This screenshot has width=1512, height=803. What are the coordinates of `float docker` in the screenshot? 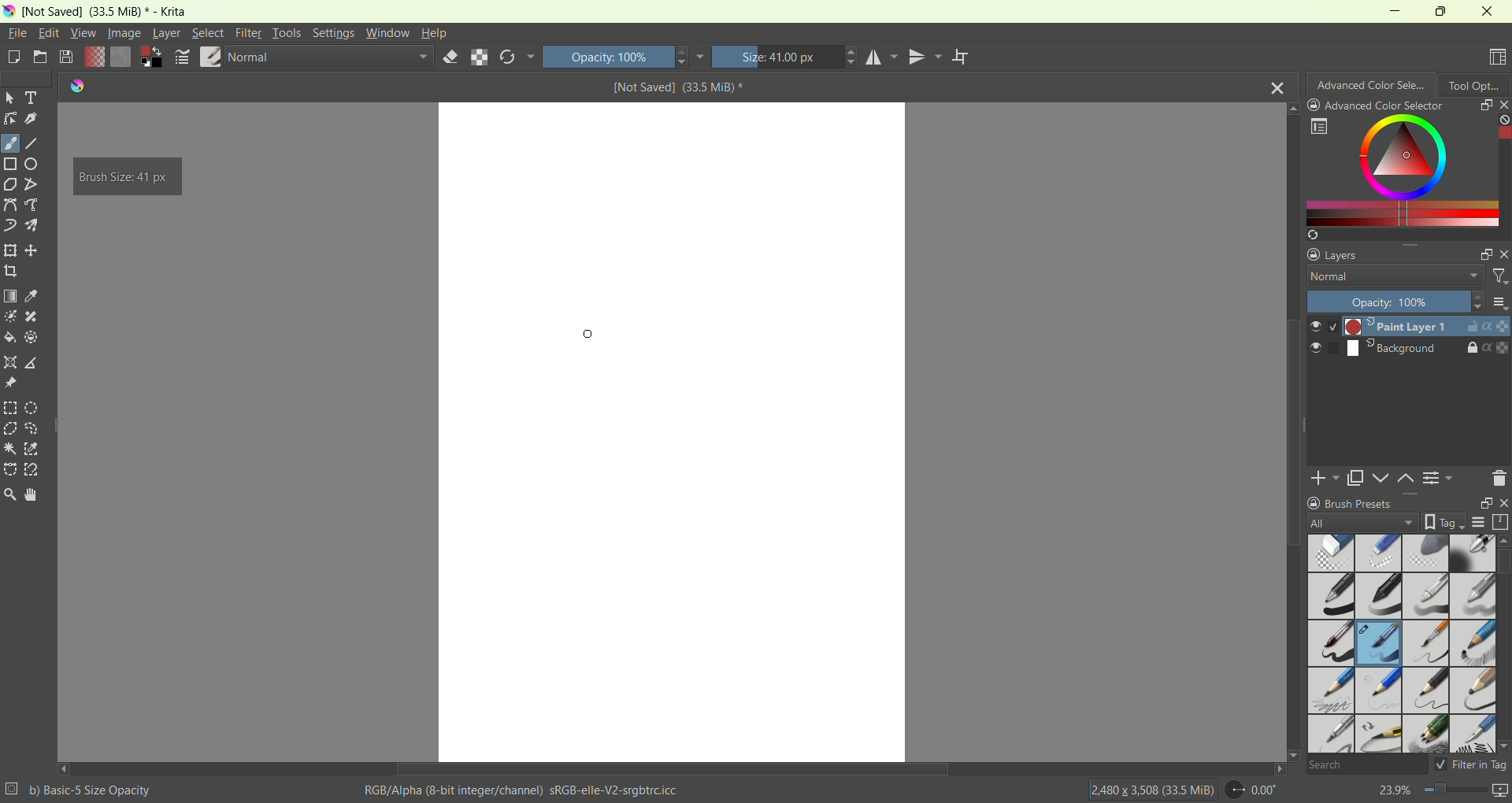 It's located at (1484, 255).